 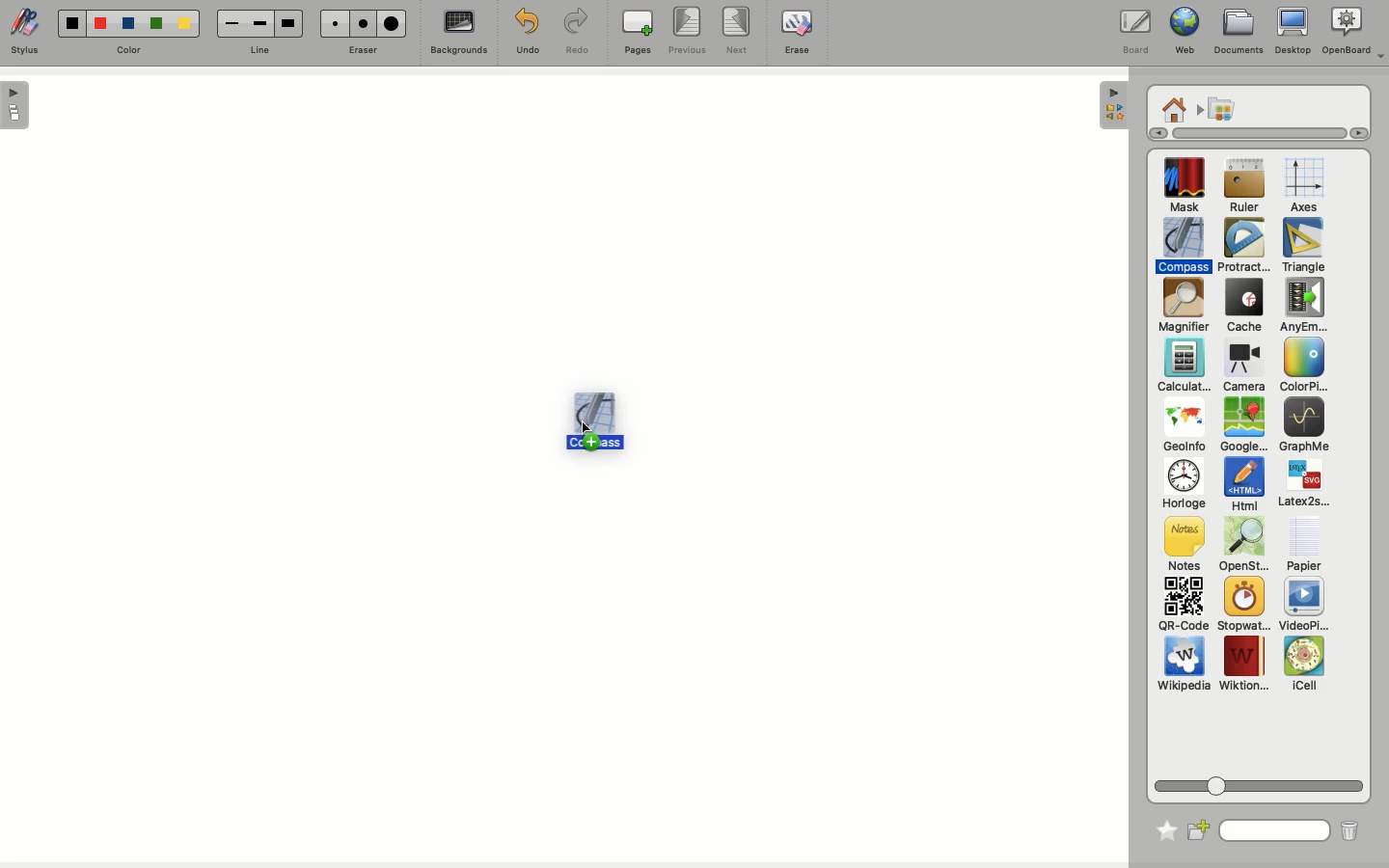 What do you see at coordinates (128, 49) in the screenshot?
I see `color` at bounding box center [128, 49].